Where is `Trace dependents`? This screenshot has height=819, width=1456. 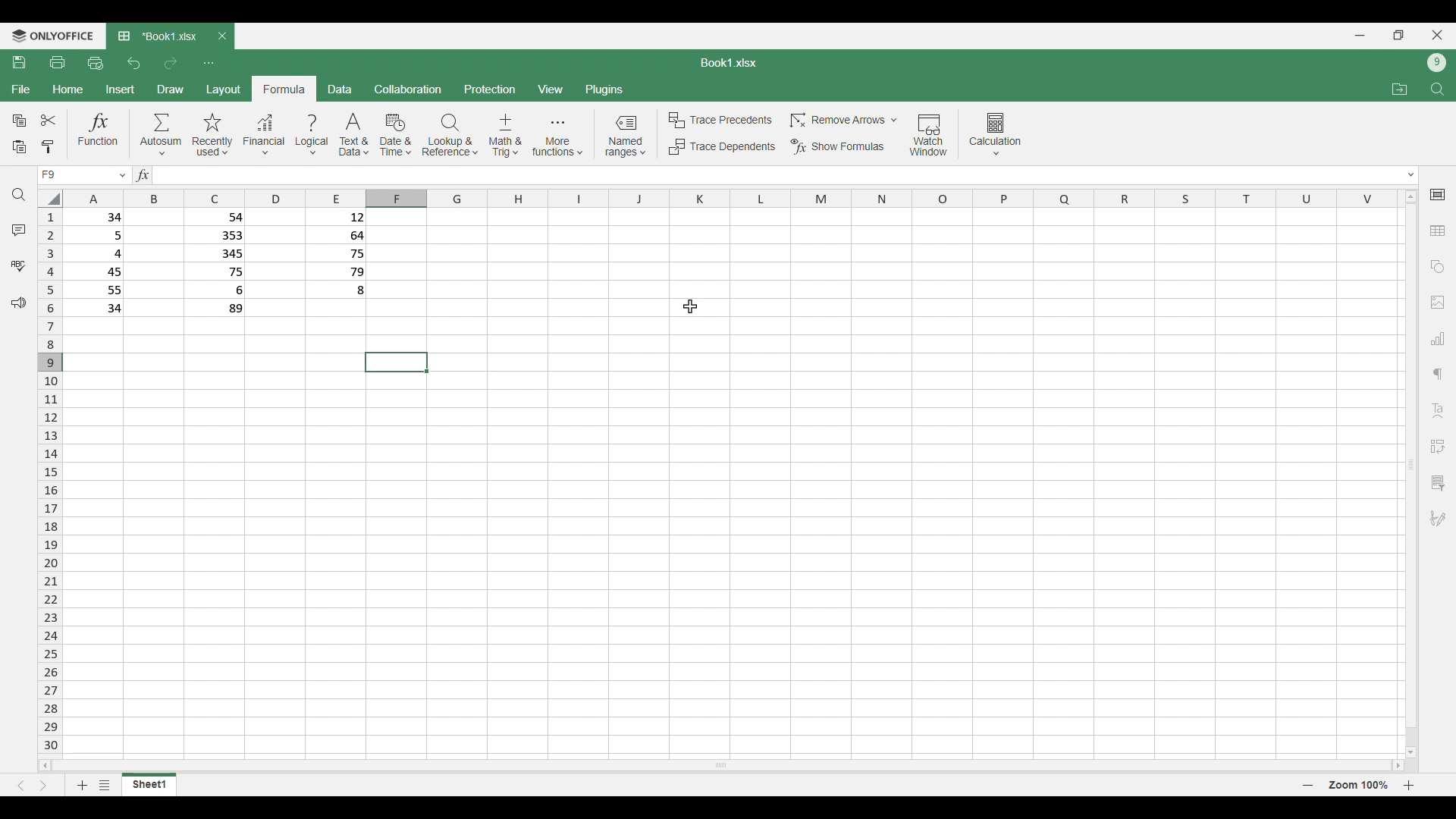
Trace dependents is located at coordinates (721, 147).